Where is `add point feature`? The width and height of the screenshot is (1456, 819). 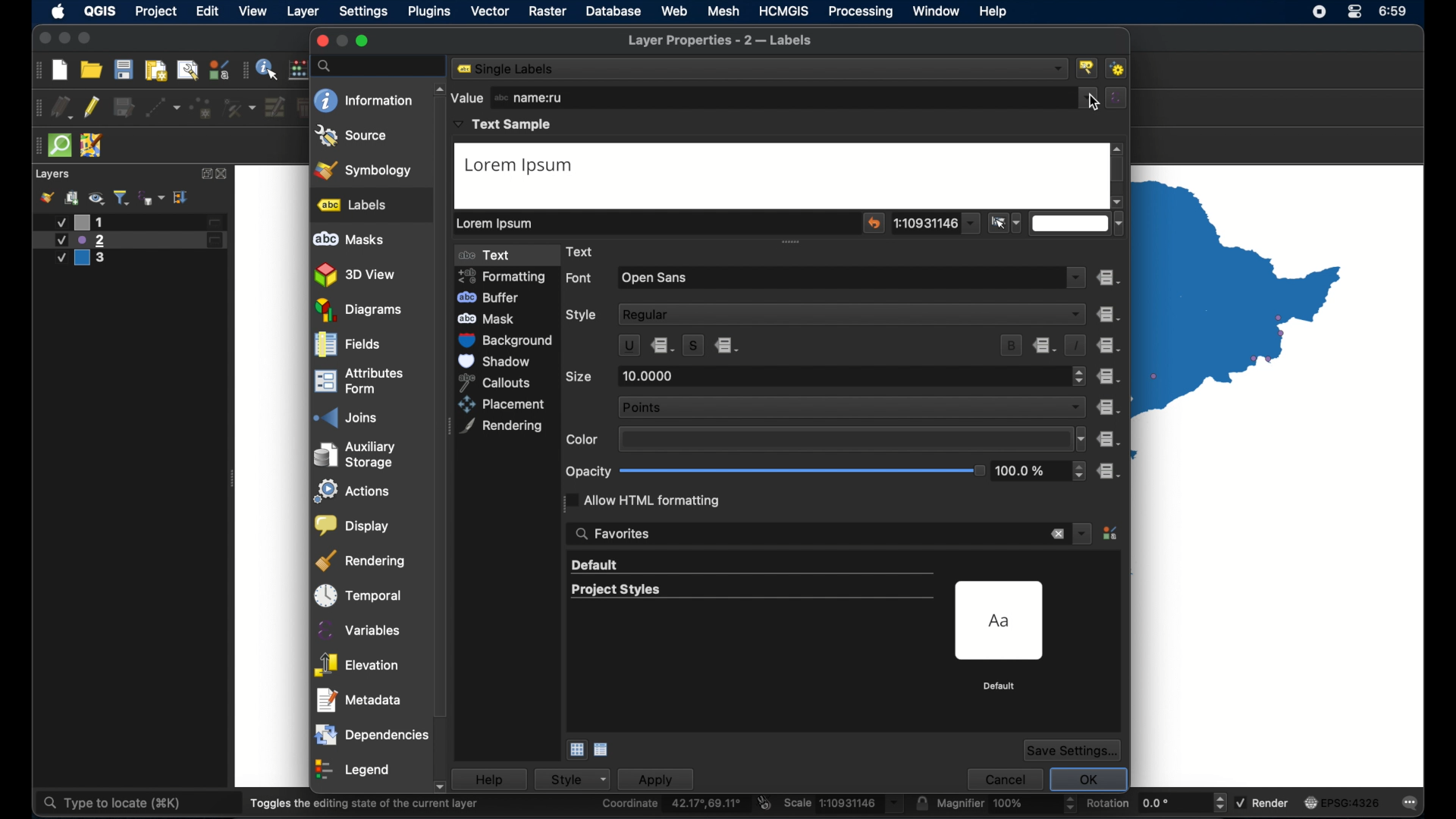
add point feature is located at coordinates (202, 108).